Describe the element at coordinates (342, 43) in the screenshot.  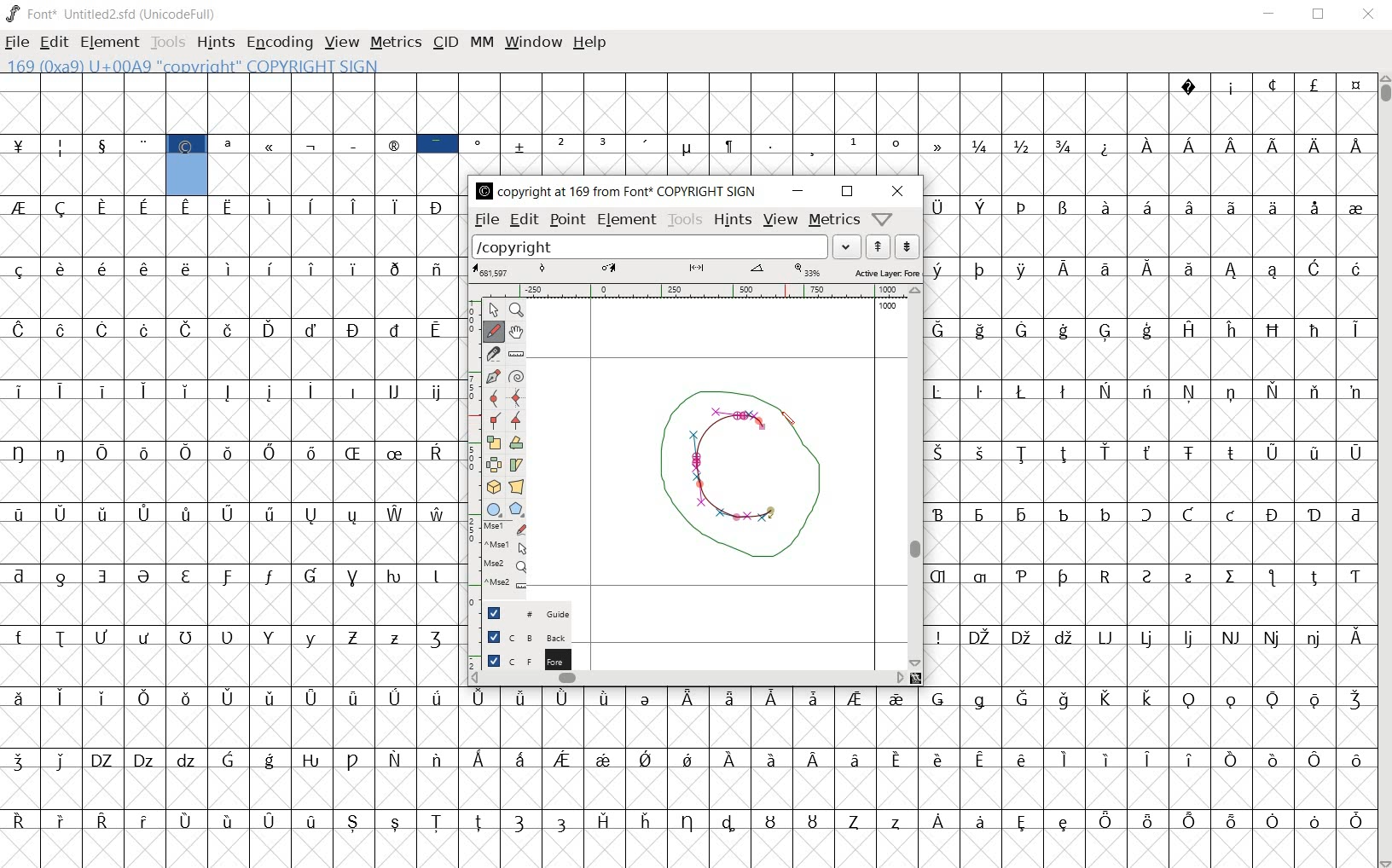
I see `view` at that location.